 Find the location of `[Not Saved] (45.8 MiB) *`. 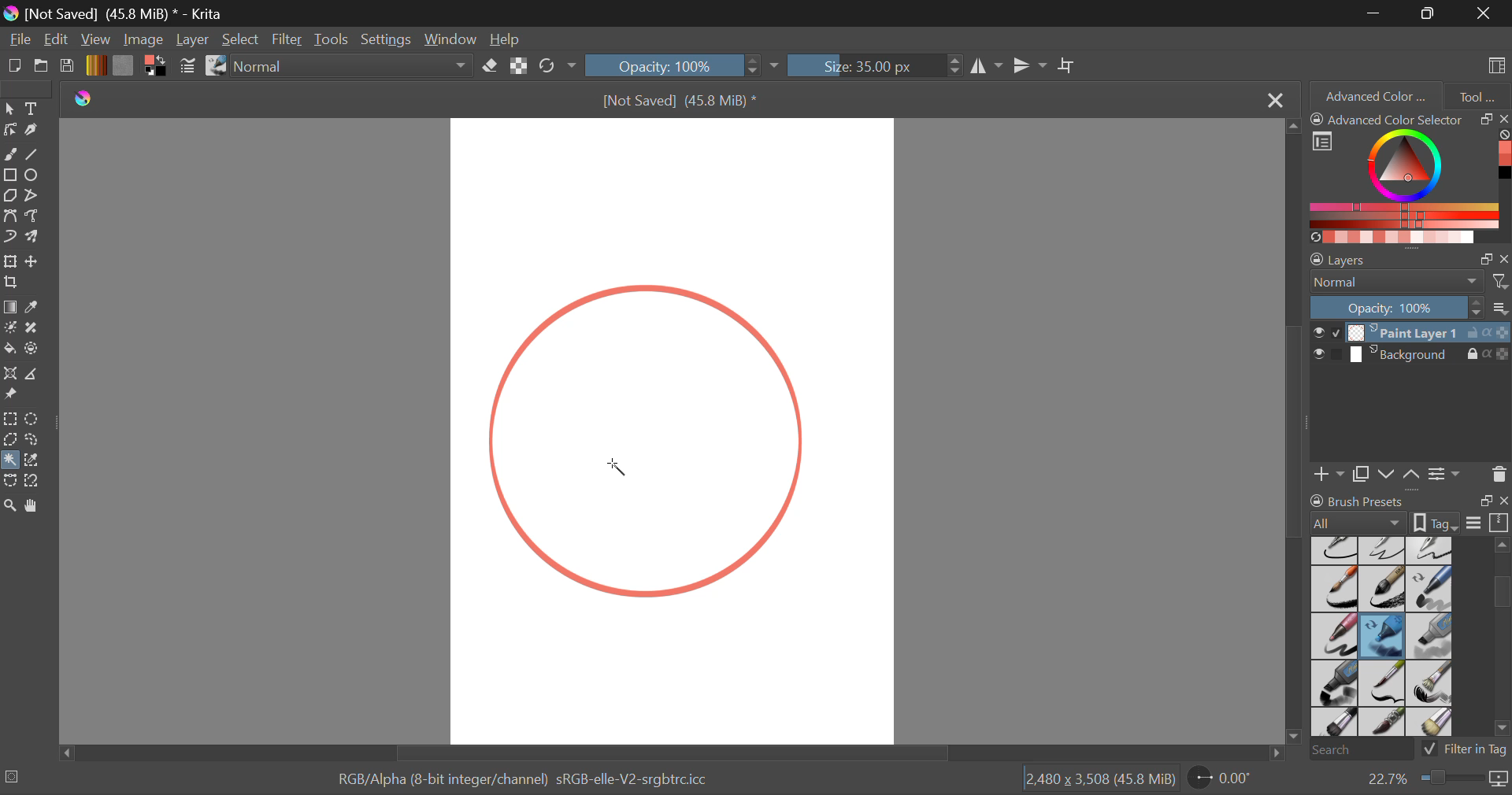

[Not Saved] (45.8 MiB) * is located at coordinates (678, 100).